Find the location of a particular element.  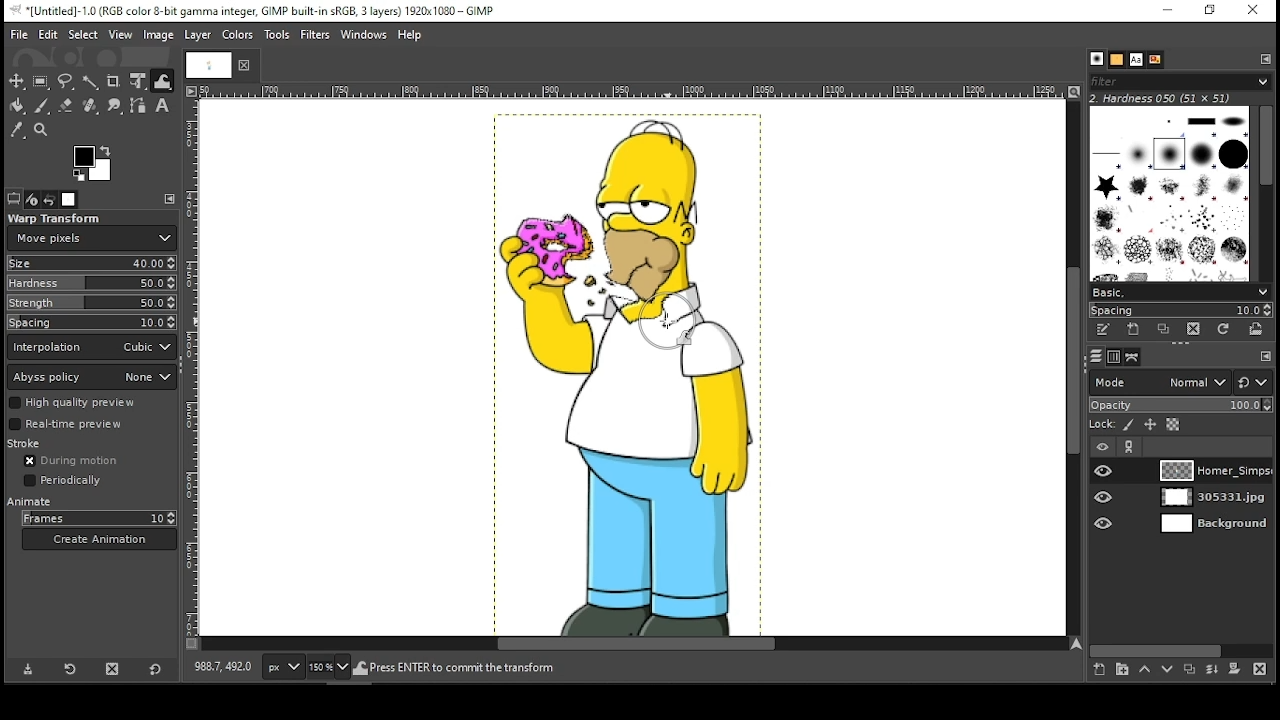

document history is located at coordinates (1156, 60).